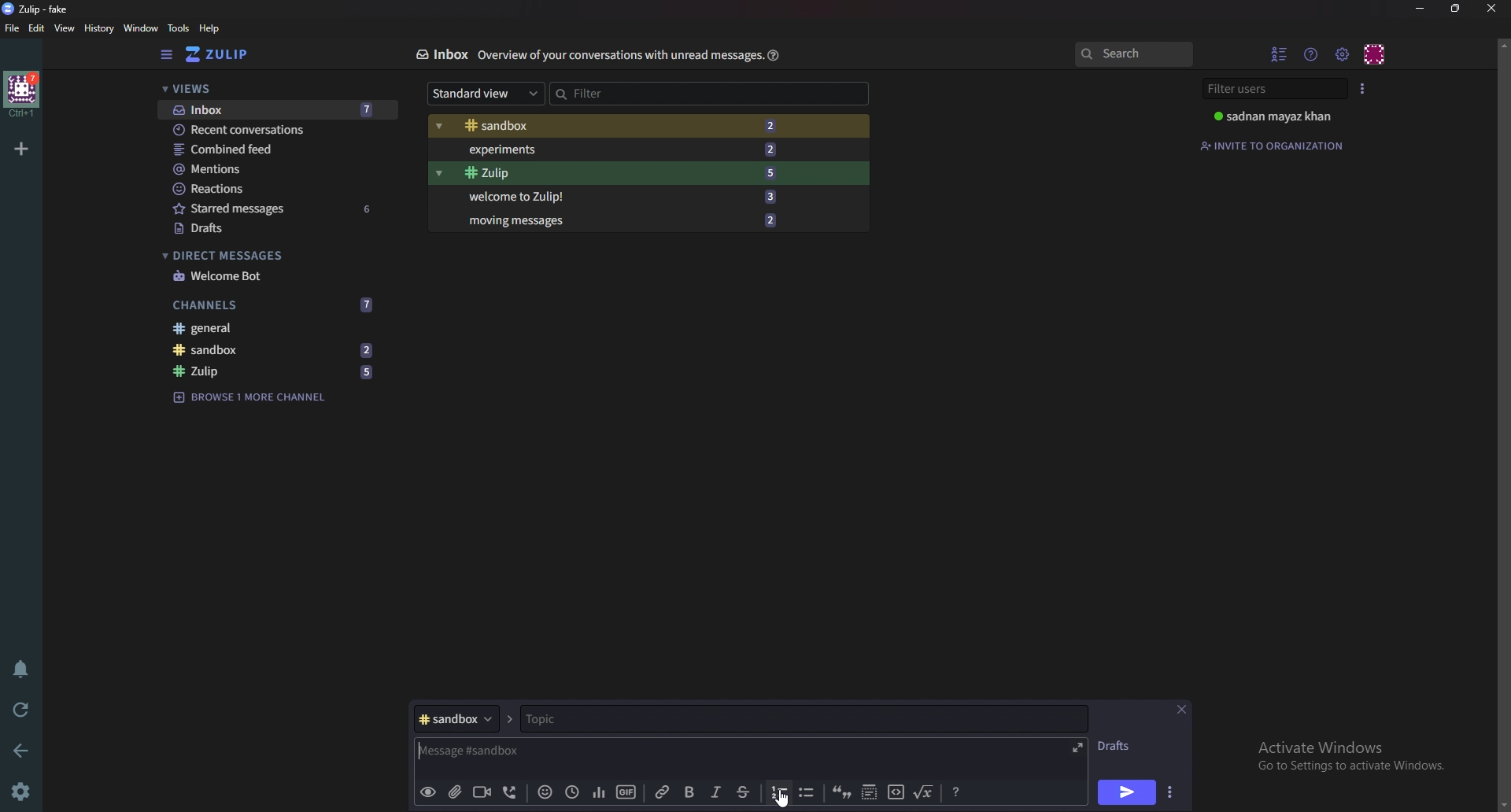 Image resolution: width=1511 pixels, height=812 pixels. Describe the element at coordinates (1280, 54) in the screenshot. I see `hide User list` at that location.